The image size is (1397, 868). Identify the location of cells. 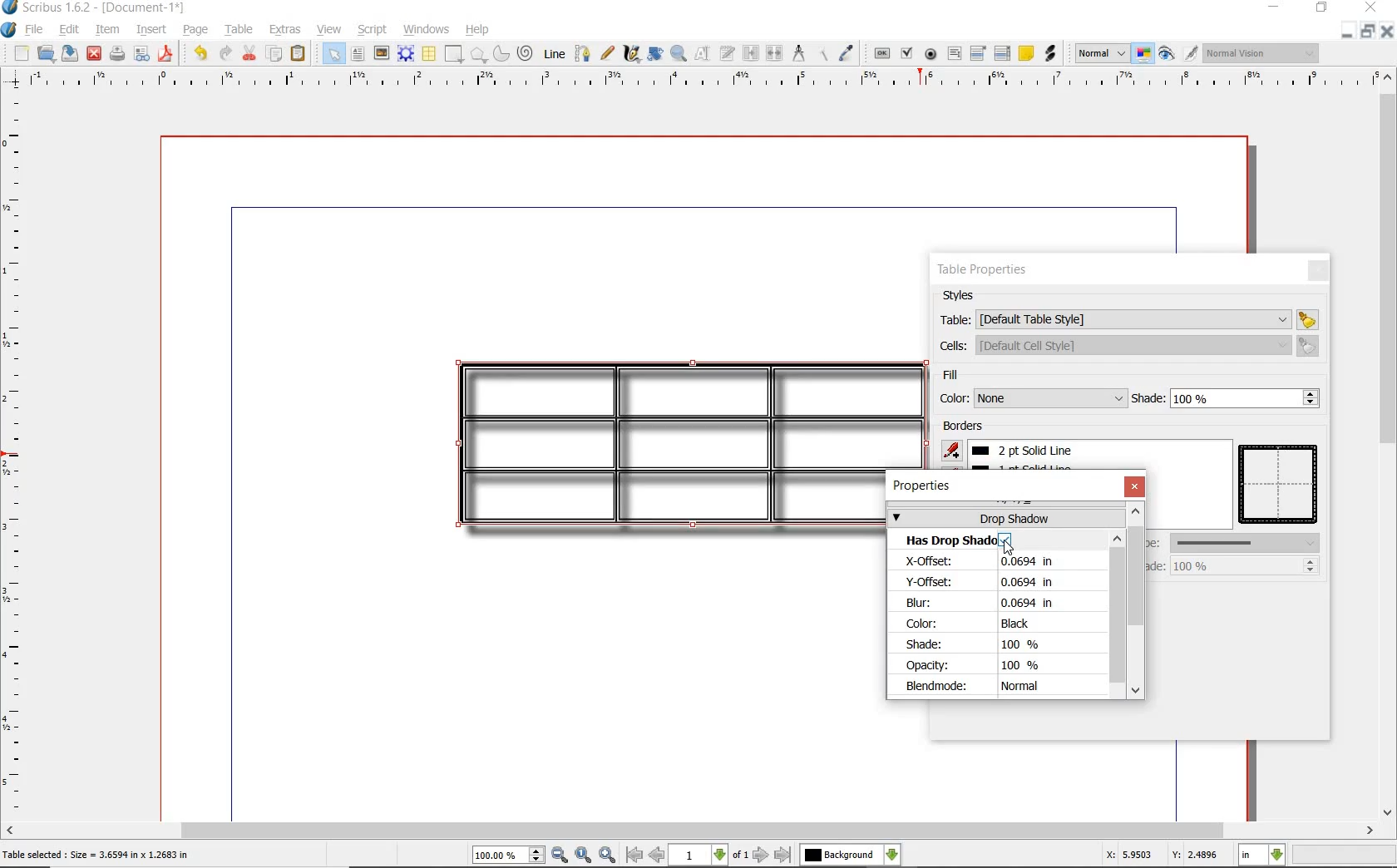
(1126, 345).